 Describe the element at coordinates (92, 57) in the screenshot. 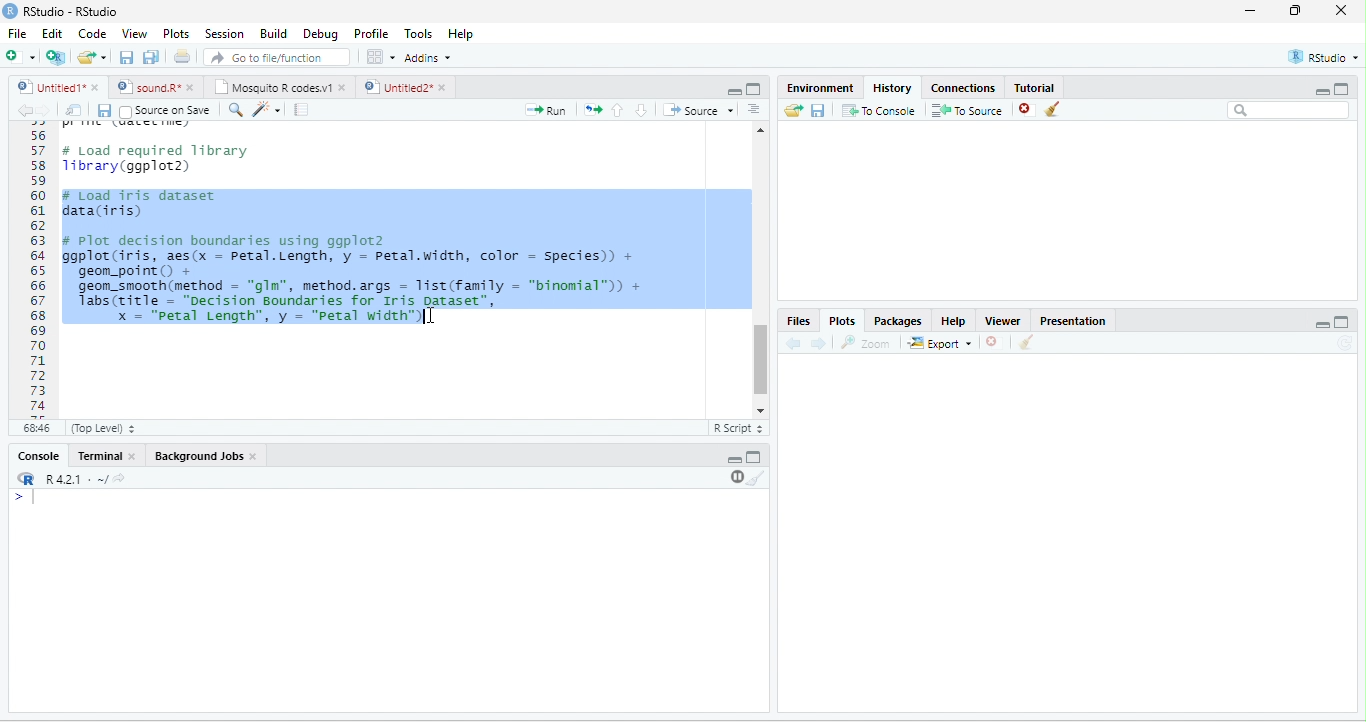

I see `open file` at that location.